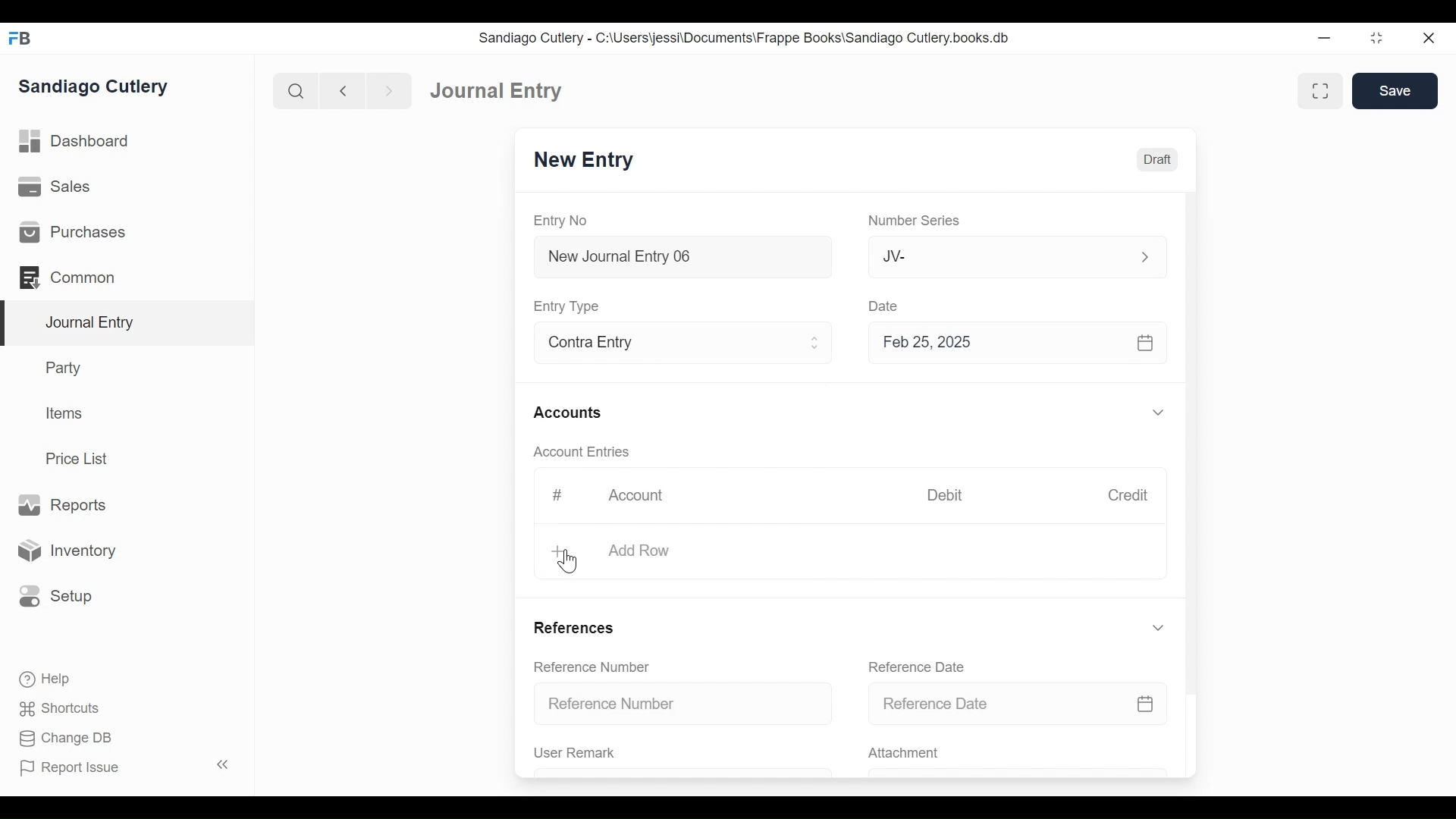 This screenshot has height=819, width=1456. I want to click on Entry Type, so click(569, 306).